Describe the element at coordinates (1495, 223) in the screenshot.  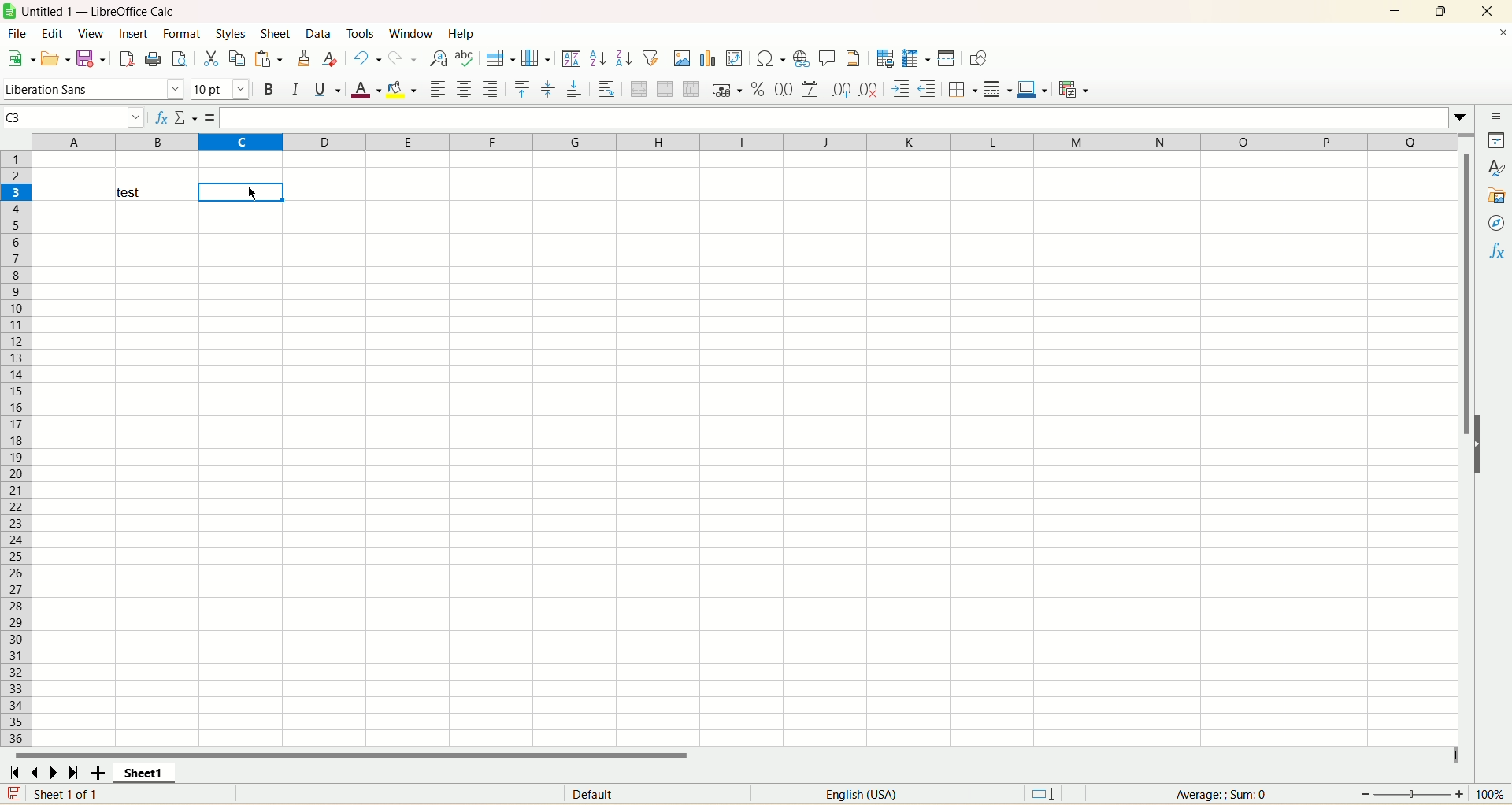
I see `Navigator` at that location.